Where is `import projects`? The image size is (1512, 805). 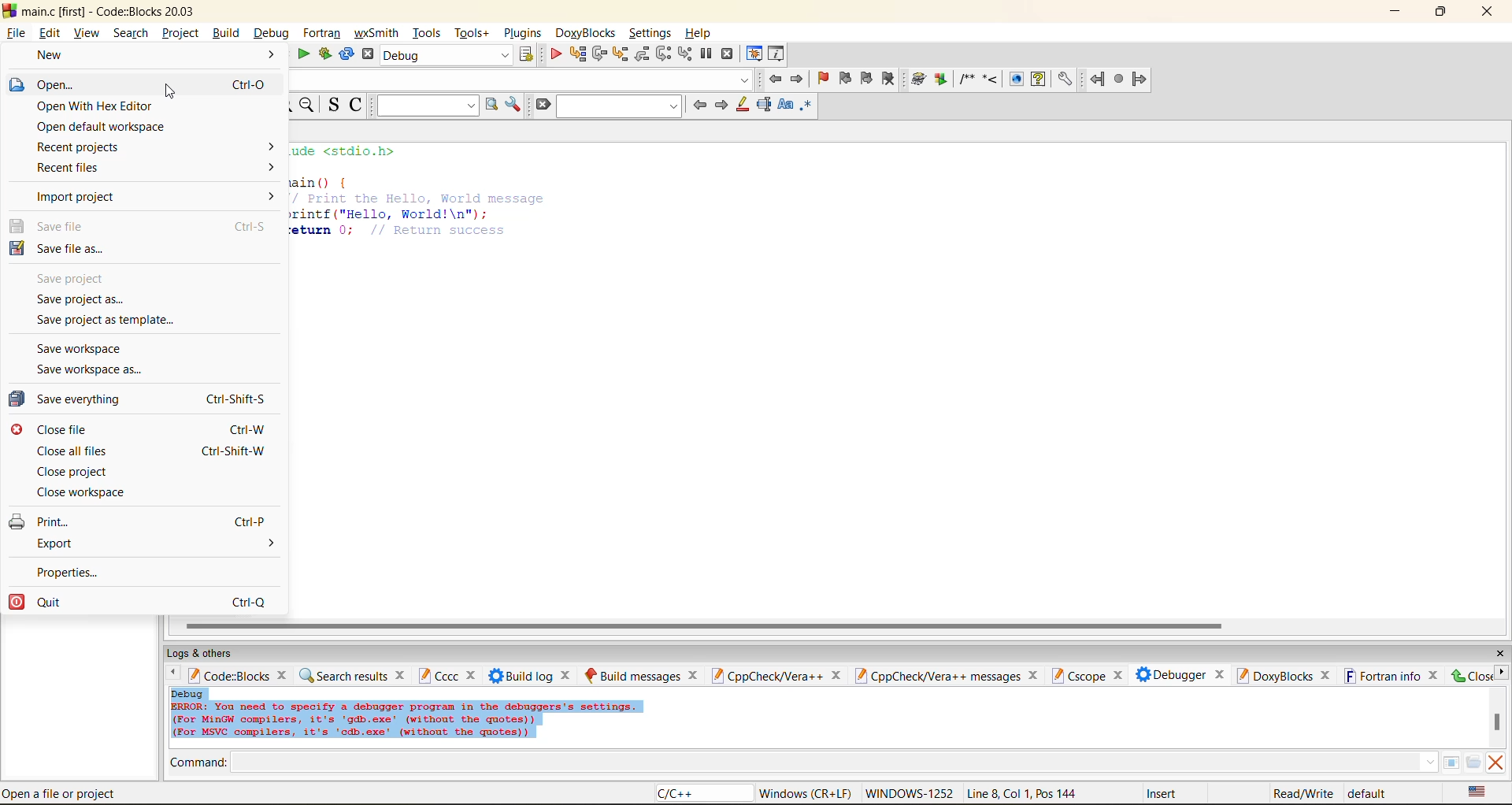
import projects is located at coordinates (157, 197).